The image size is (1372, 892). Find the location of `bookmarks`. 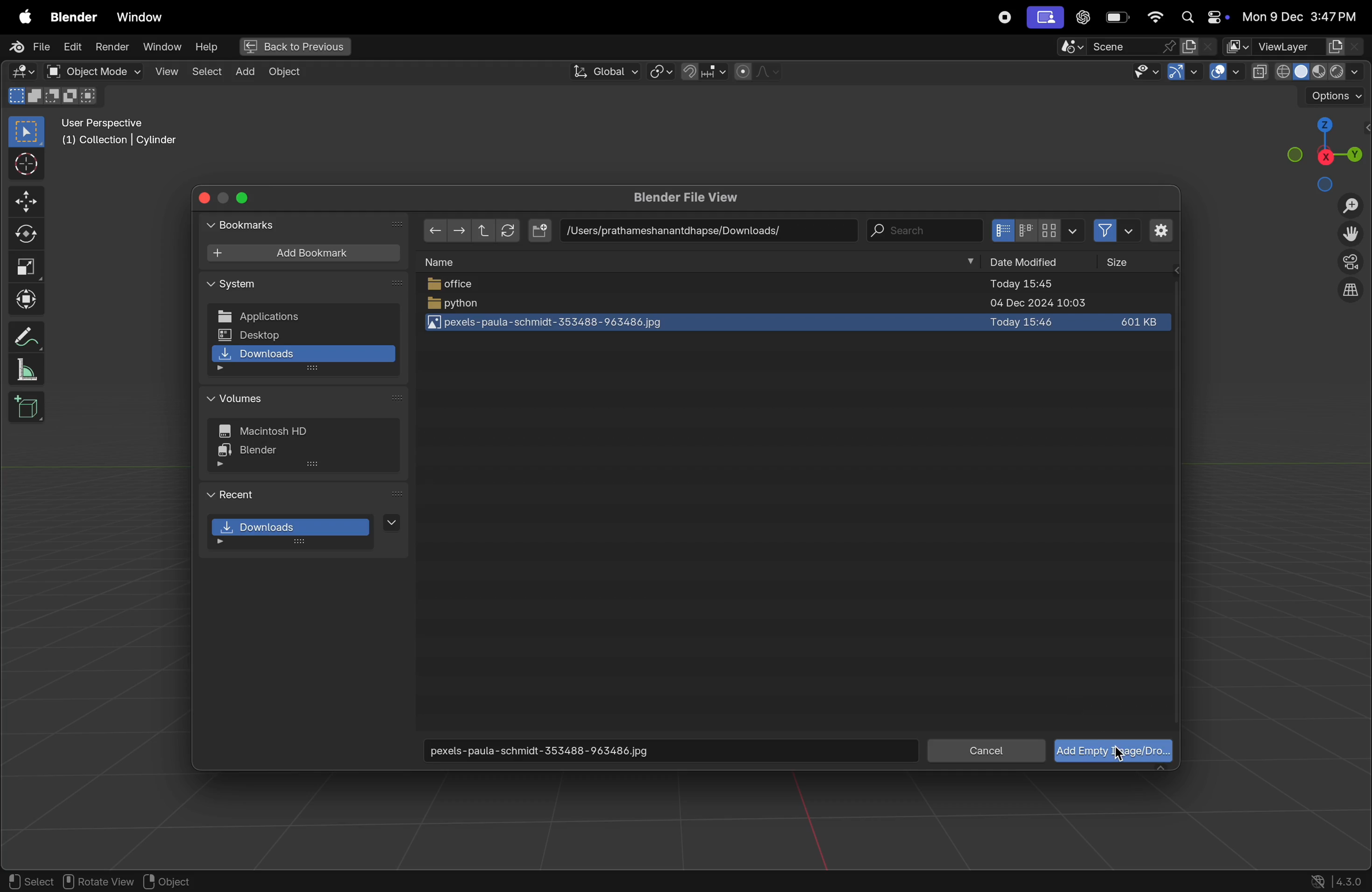

bookmarks is located at coordinates (244, 225).